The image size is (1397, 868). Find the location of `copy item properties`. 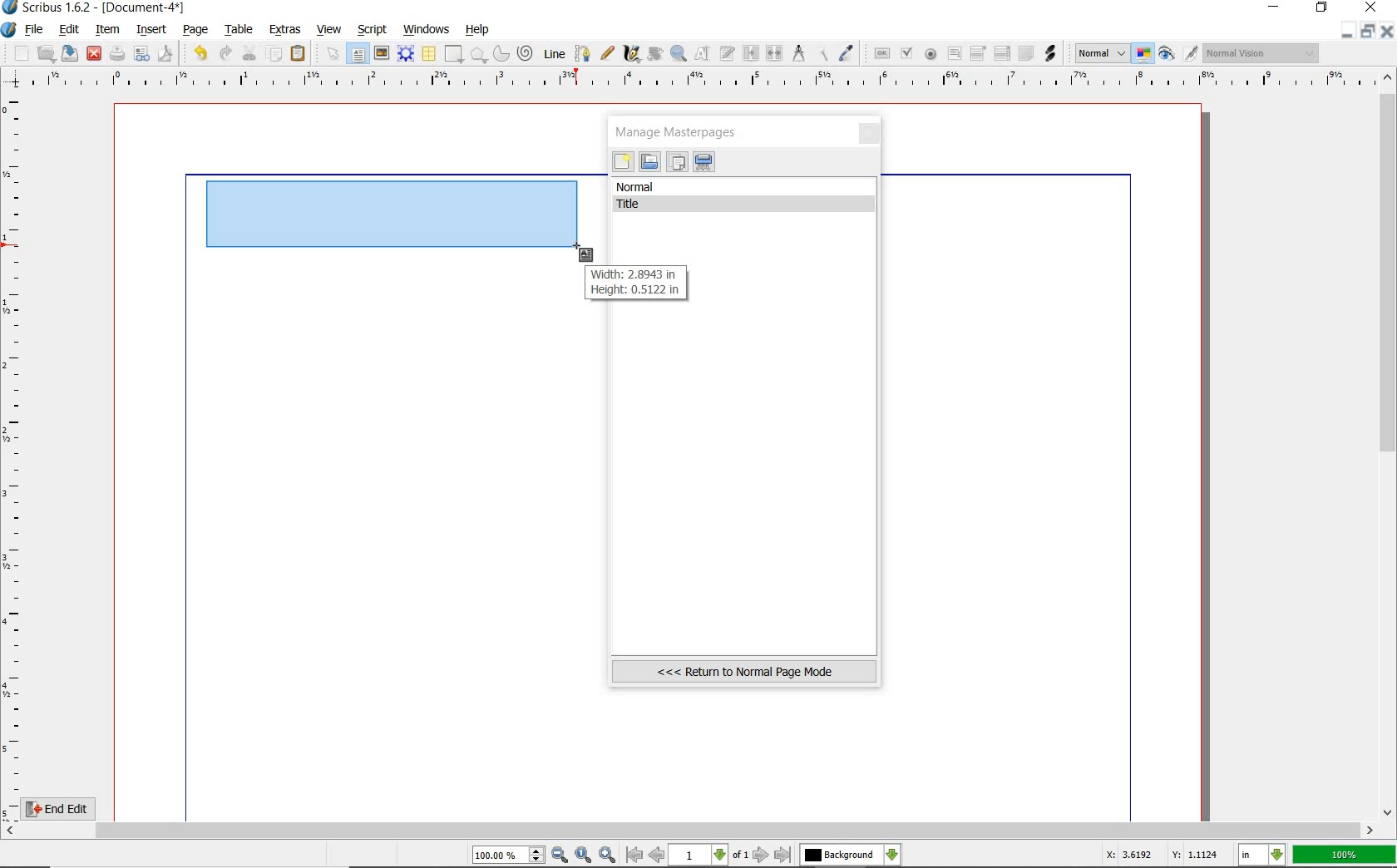

copy item properties is located at coordinates (824, 52).